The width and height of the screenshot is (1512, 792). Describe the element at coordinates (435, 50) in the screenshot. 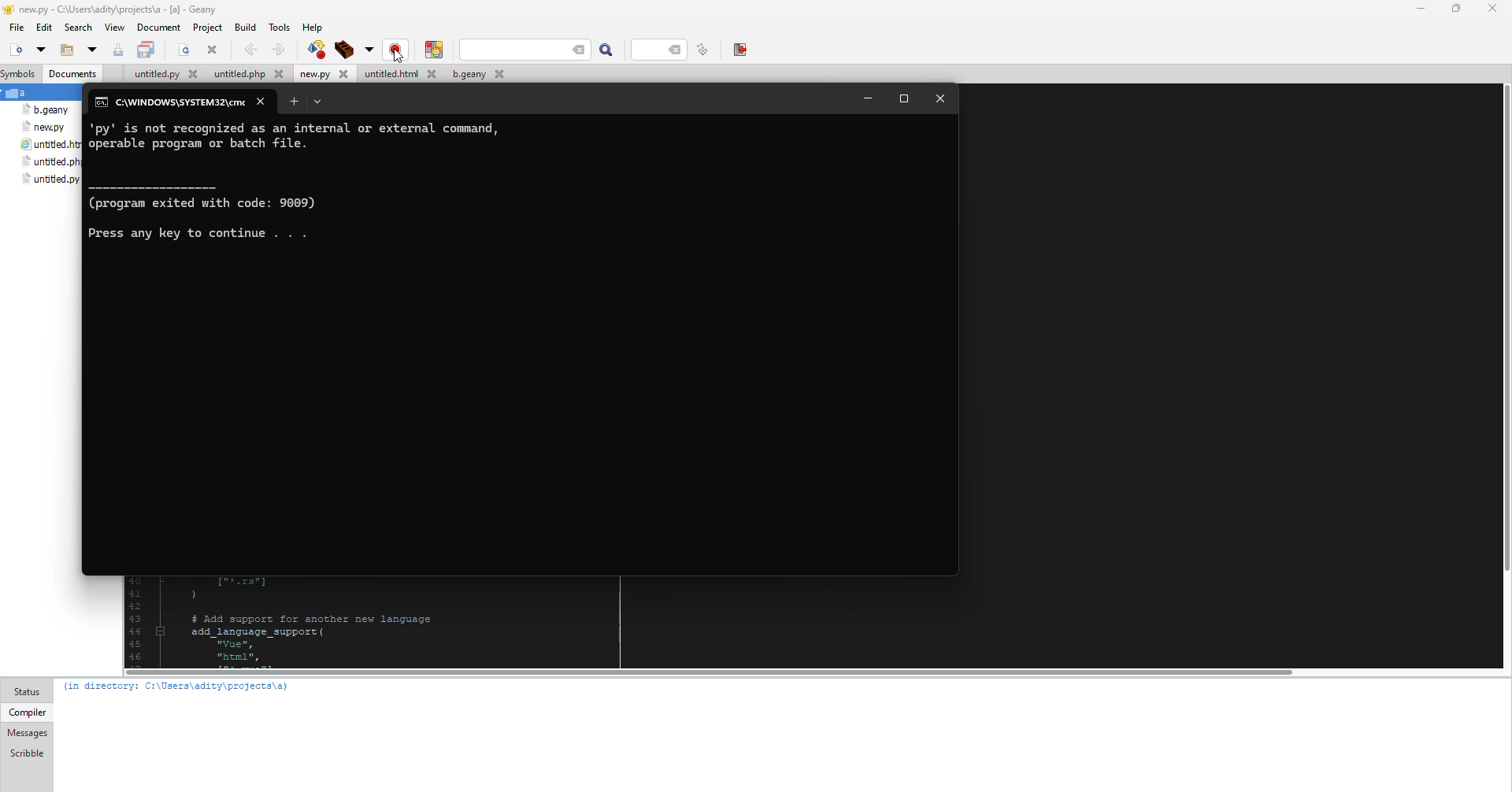

I see `color` at that location.